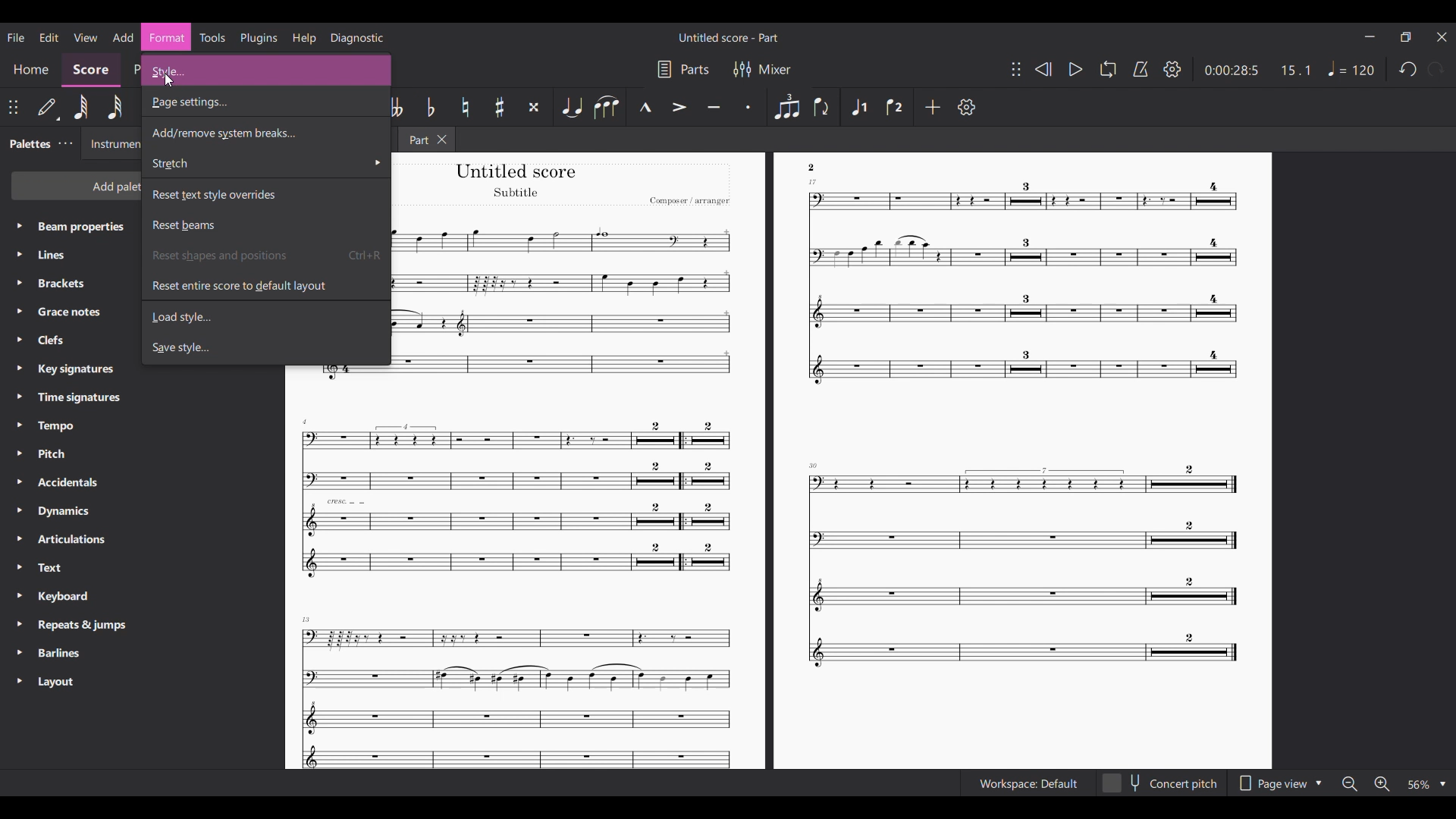  What do you see at coordinates (1351, 68) in the screenshot?
I see `Tempo` at bounding box center [1351, 68].